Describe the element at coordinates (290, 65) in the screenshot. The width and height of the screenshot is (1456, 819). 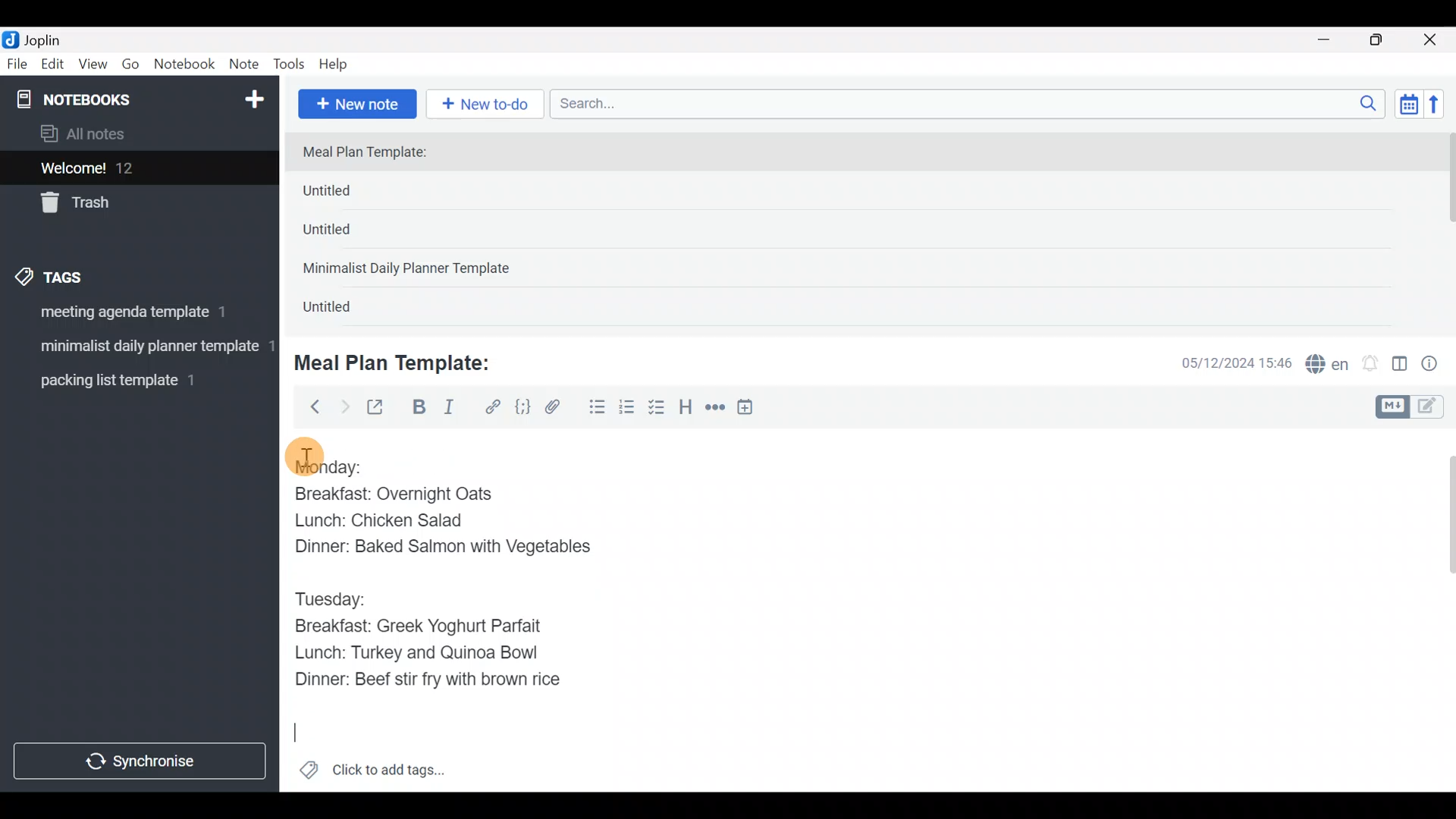
I see `Tools` at that location.